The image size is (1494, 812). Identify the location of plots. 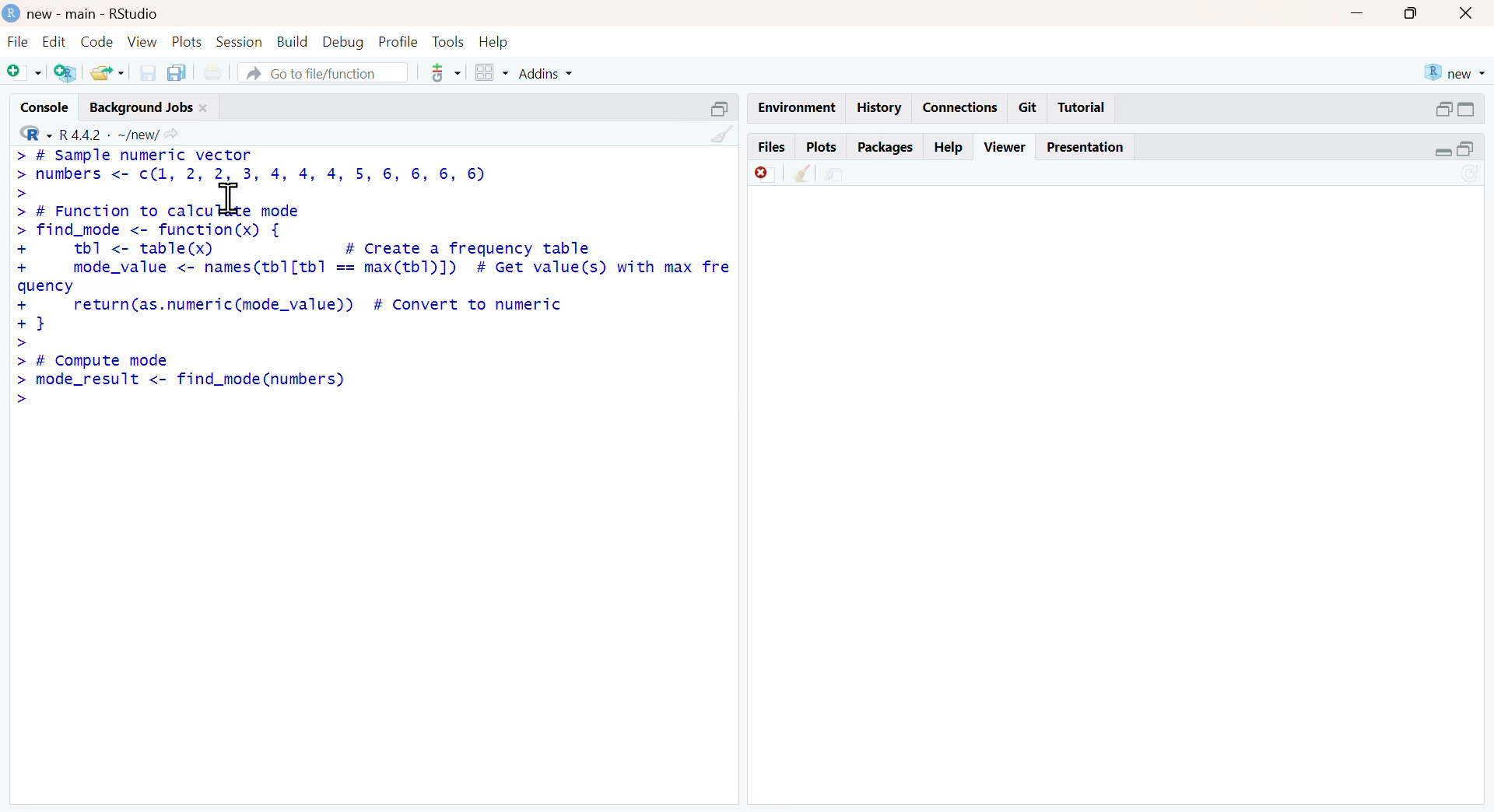
(821, 147).